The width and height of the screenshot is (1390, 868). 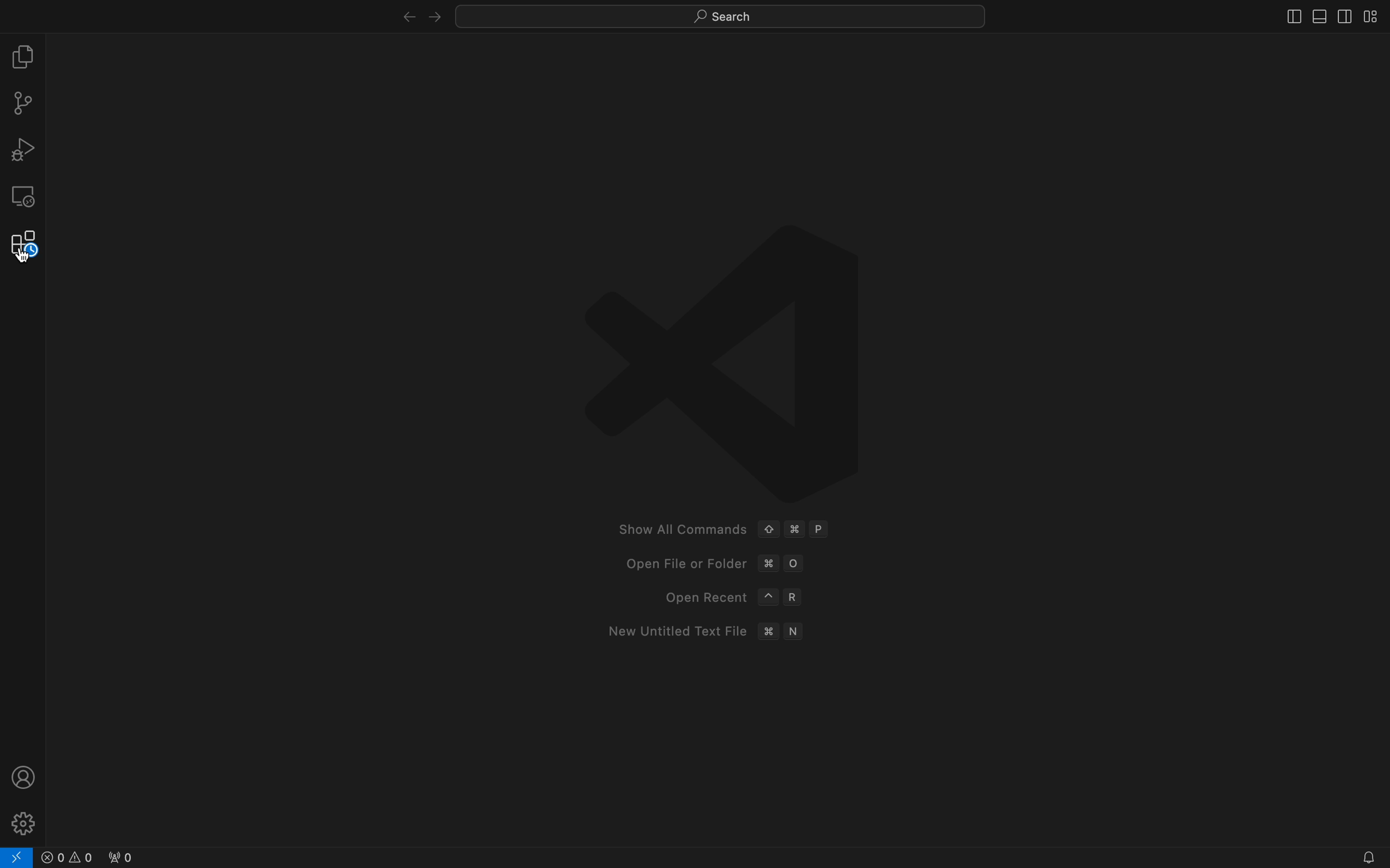 What do you see at coordinates (23, 196) in the screenshot?
I see `remote explore` at bounding box center [23, 196].